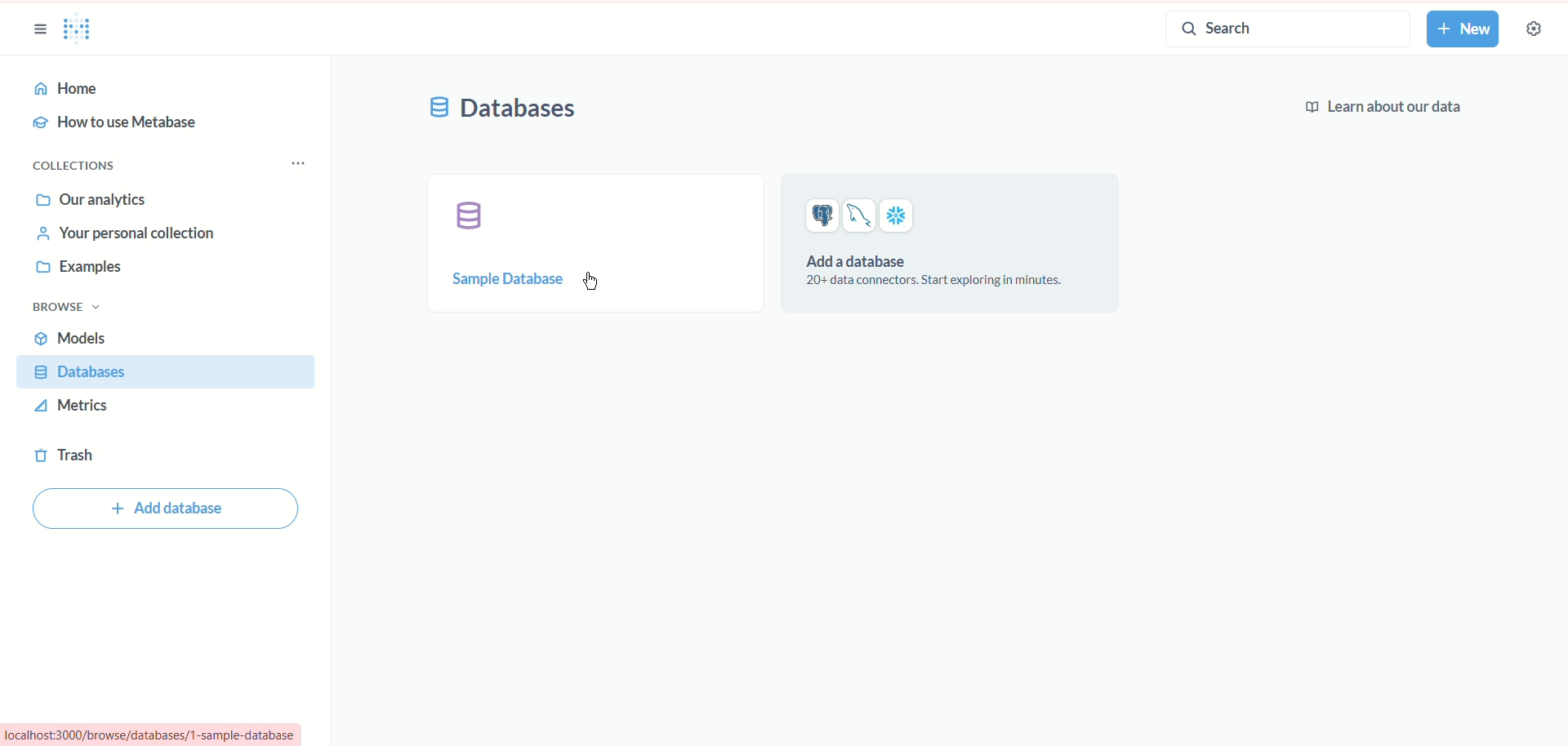 The height and width of the screenshot is (746, 1568). Describe the element at coordinates (70, 406) in the screenshot. I see `metrics` at that location.